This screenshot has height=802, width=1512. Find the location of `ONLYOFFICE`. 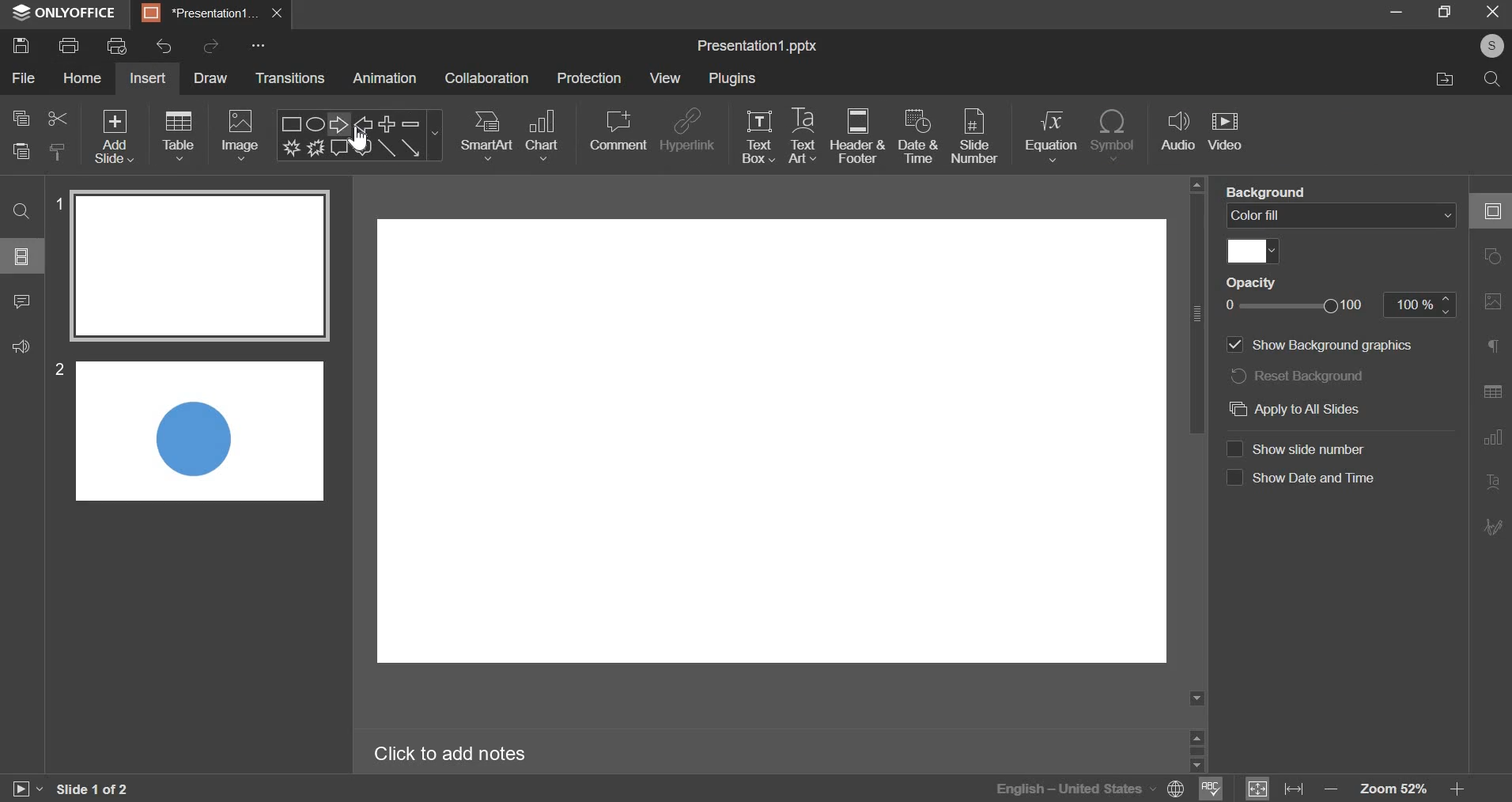

ONLYOFFICE is located at coordinates (62, 15).